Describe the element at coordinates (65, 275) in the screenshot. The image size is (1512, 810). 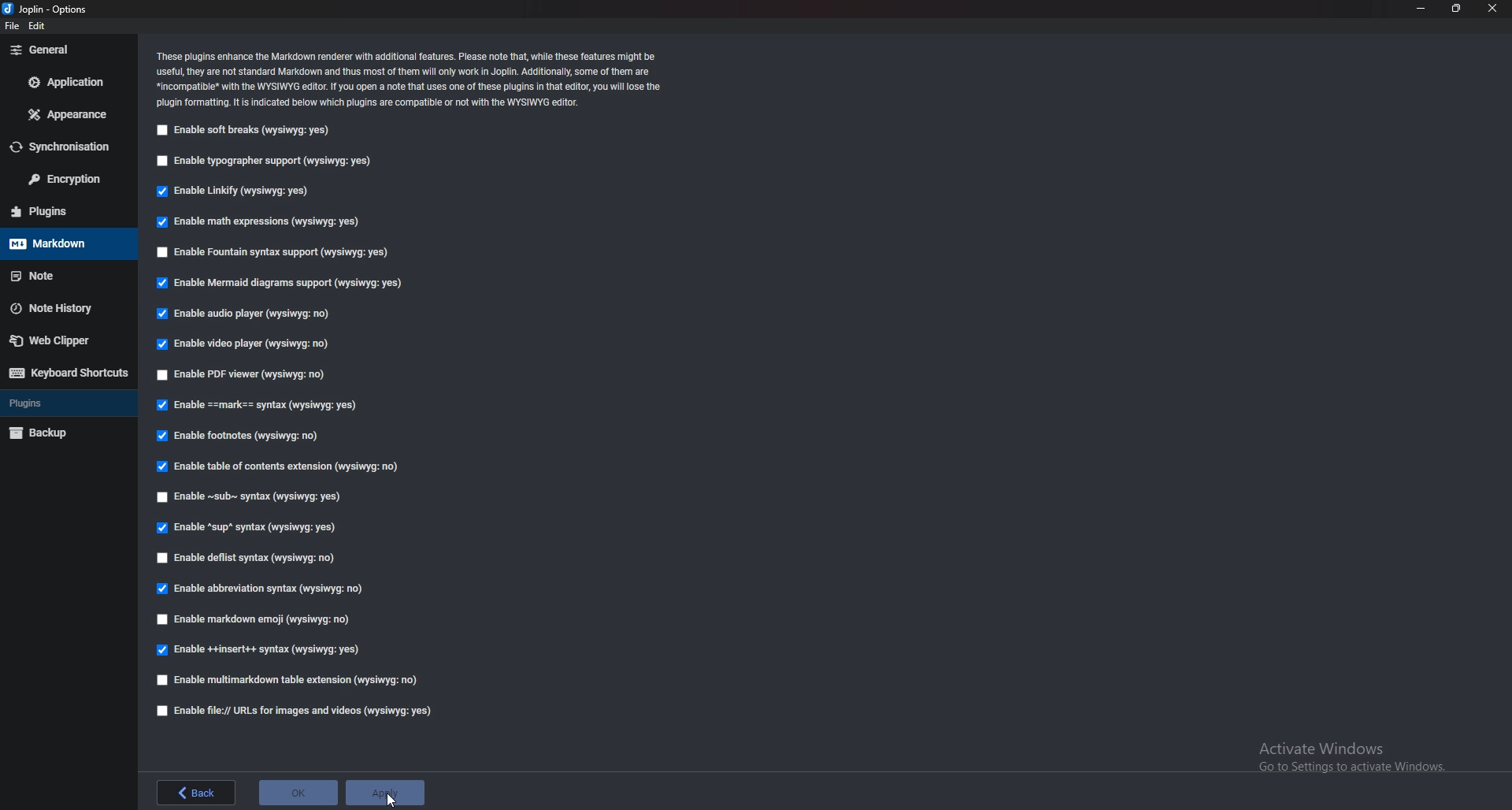
I see `note` at that location.